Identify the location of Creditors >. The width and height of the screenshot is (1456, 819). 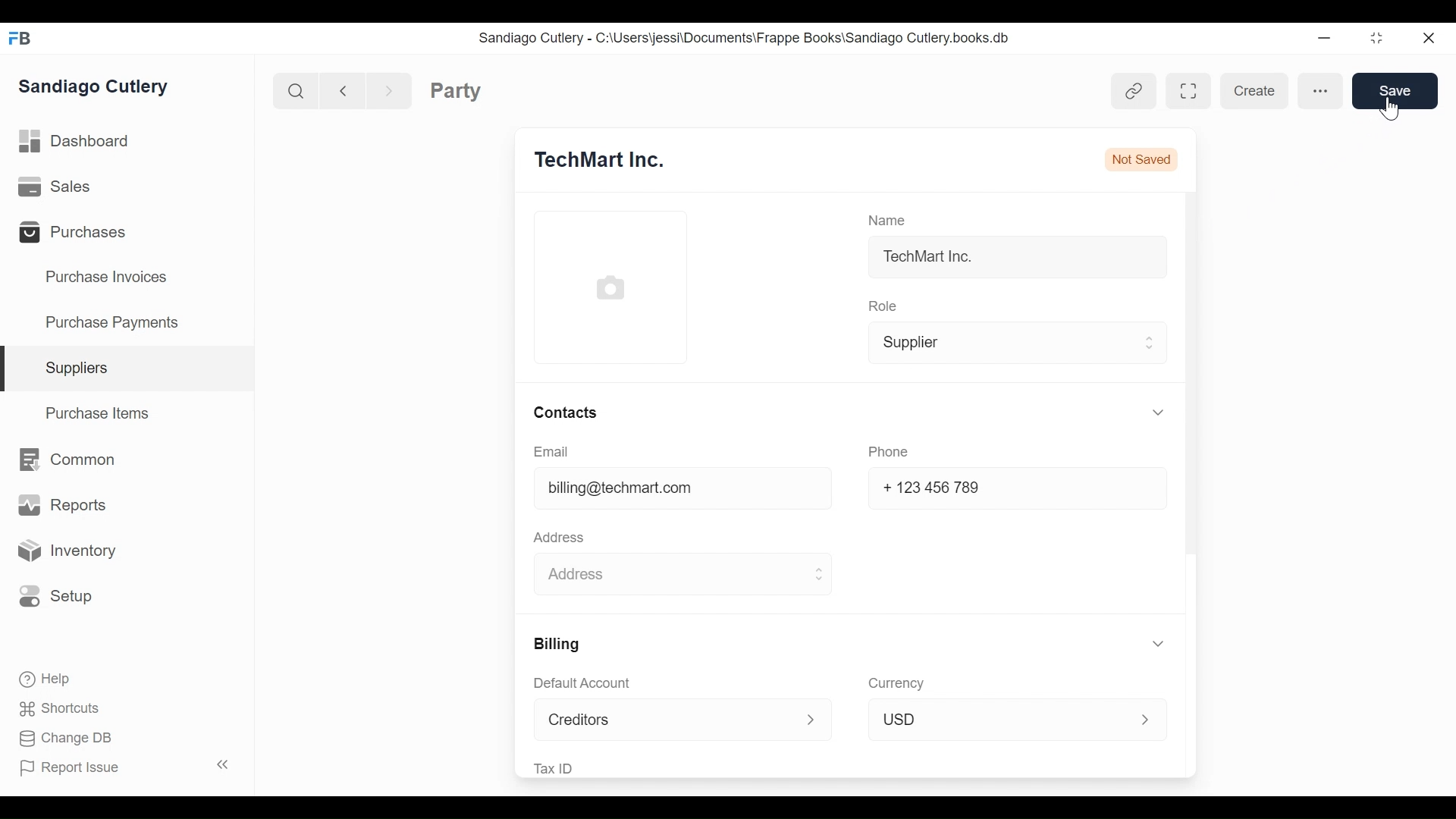
(678, 720).